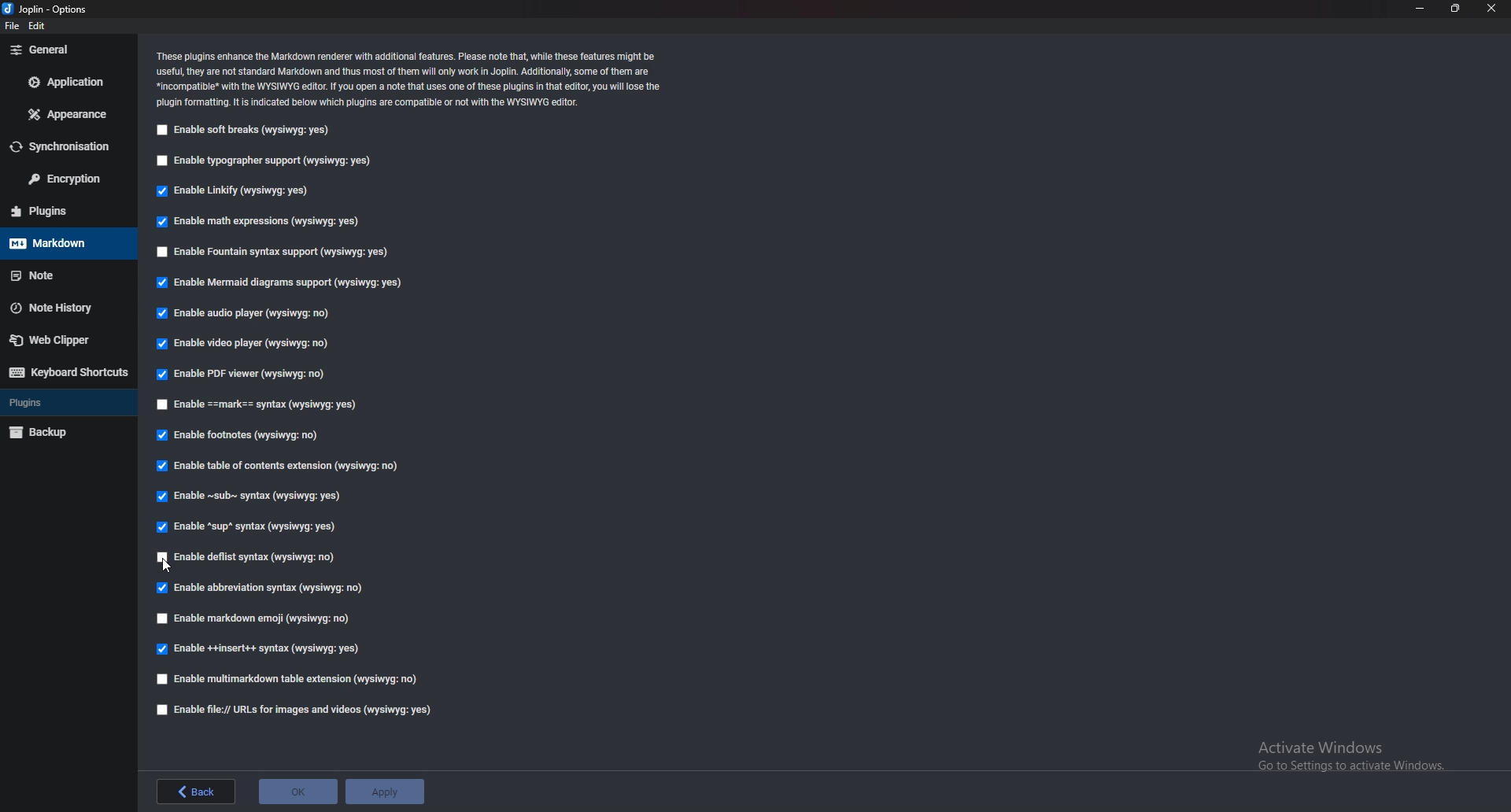 This screenshot has height=812, width=1511. I want to click on enable Abbreviation Syntax, so click(263, 586).